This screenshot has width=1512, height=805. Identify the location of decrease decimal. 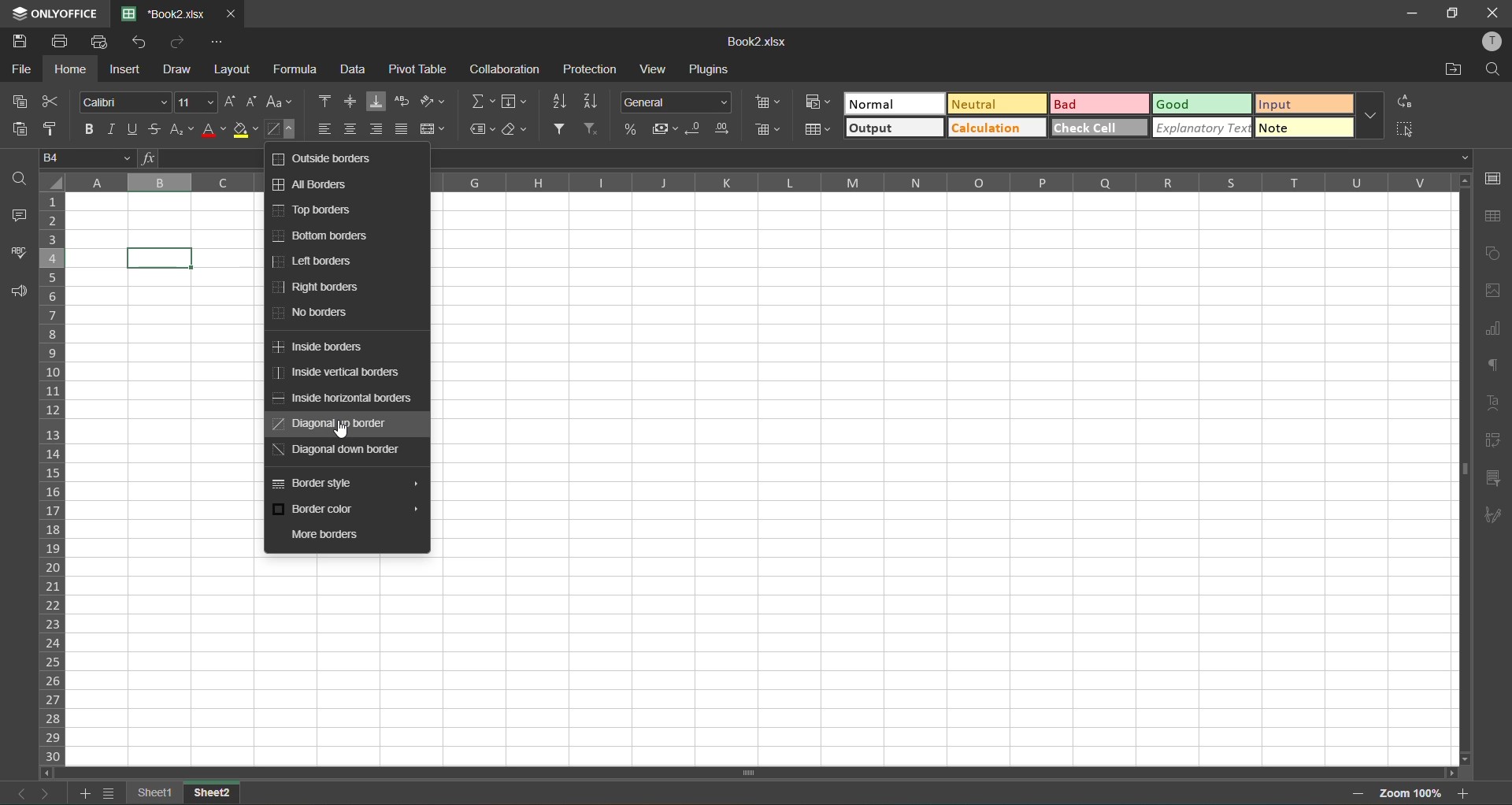
(699, 132).